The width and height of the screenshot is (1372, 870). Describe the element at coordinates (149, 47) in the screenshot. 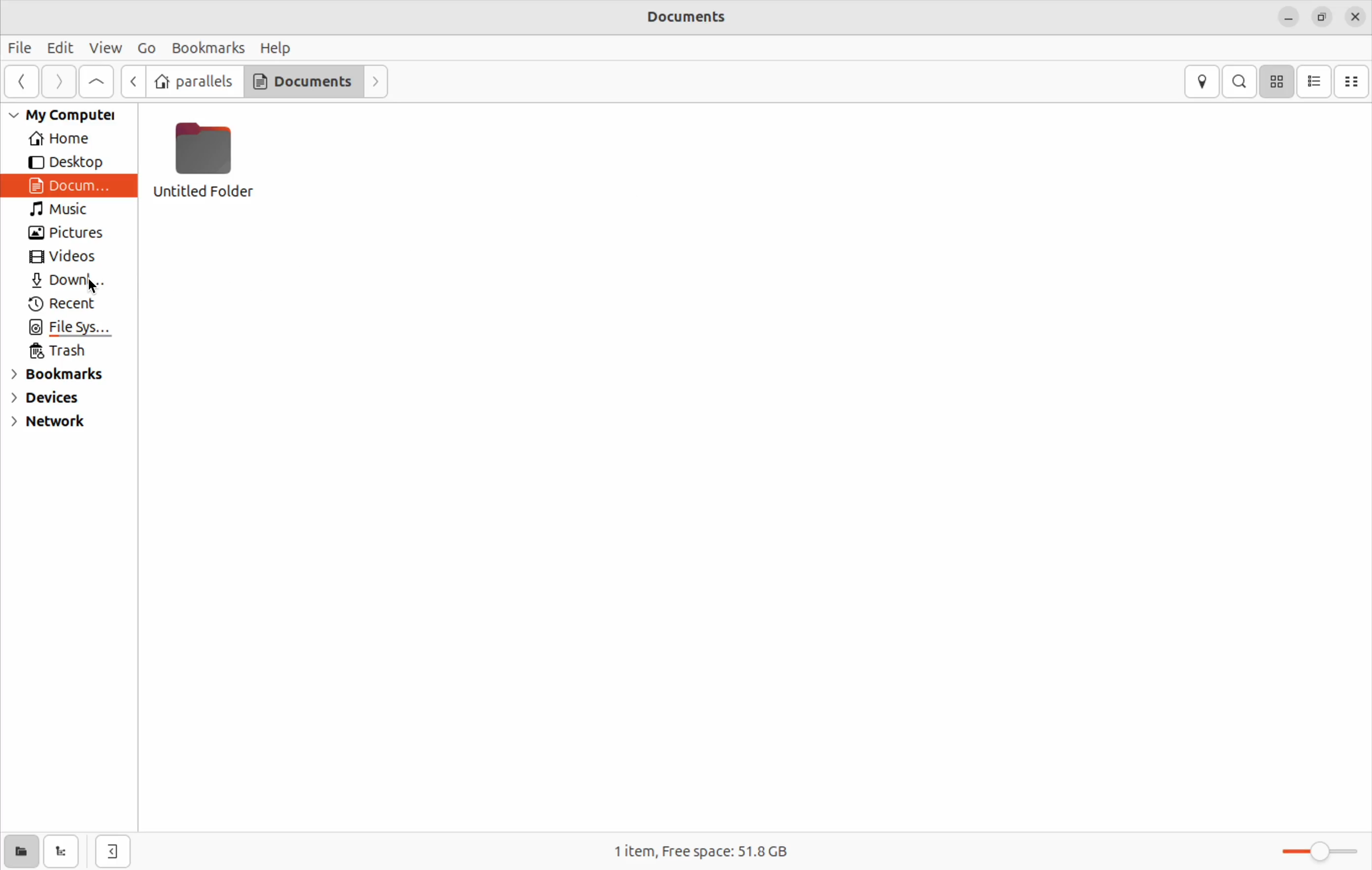

I see `Go` at that location.